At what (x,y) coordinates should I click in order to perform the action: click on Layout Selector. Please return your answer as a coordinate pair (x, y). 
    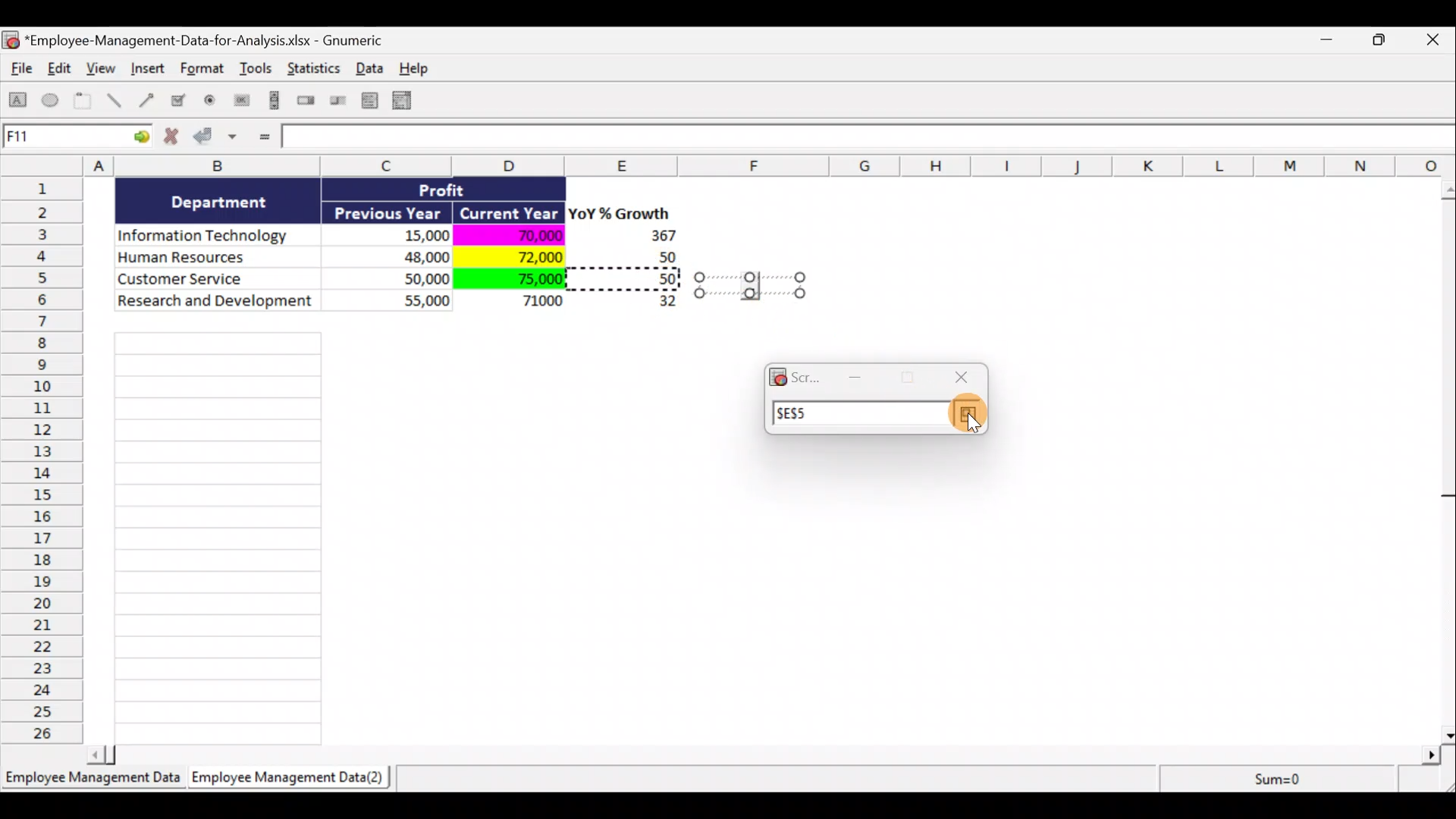
    Looking at the image, I should click on (967, 415).